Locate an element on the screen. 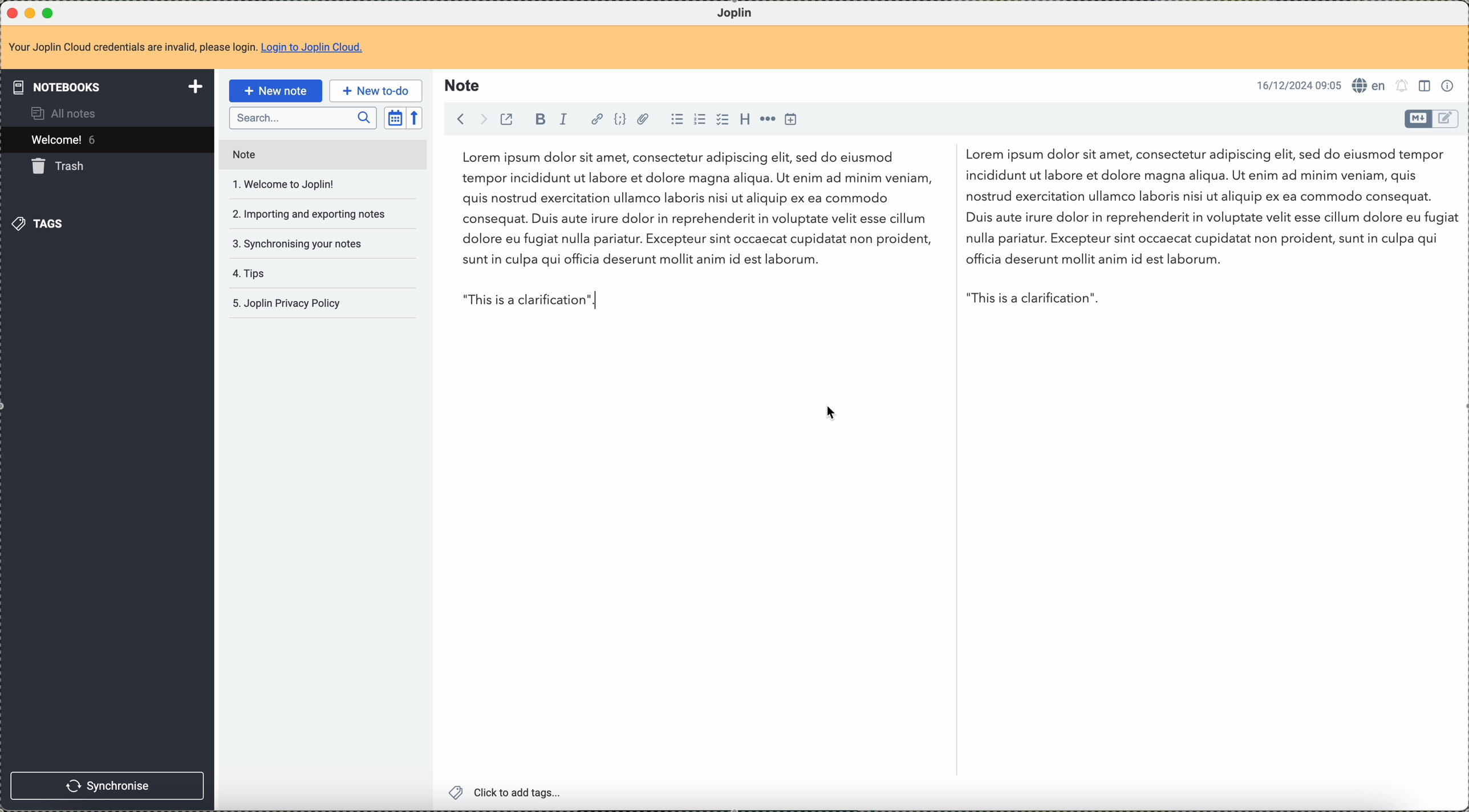 The height and width of the screenshot is (812, 1469). insert time is located at coordinates (794, 120).